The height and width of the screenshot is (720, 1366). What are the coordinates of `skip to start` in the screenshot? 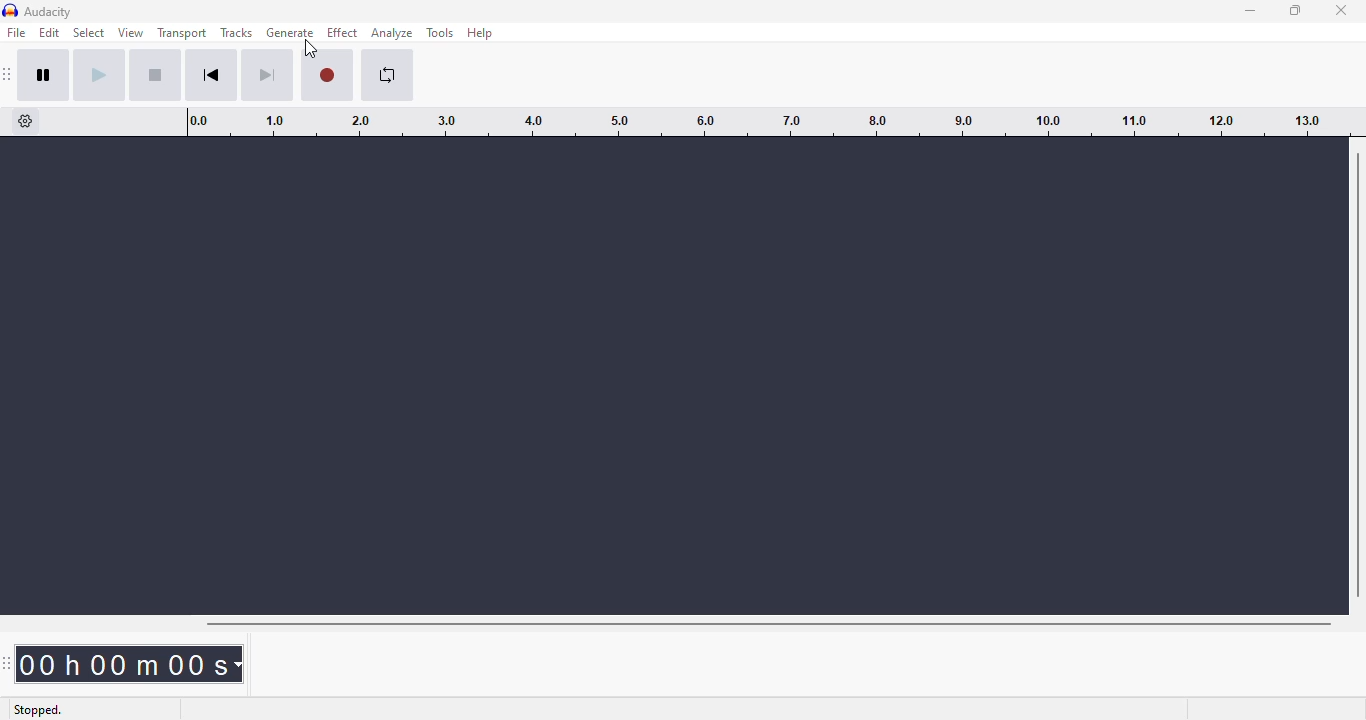 It's located at (212, 75).